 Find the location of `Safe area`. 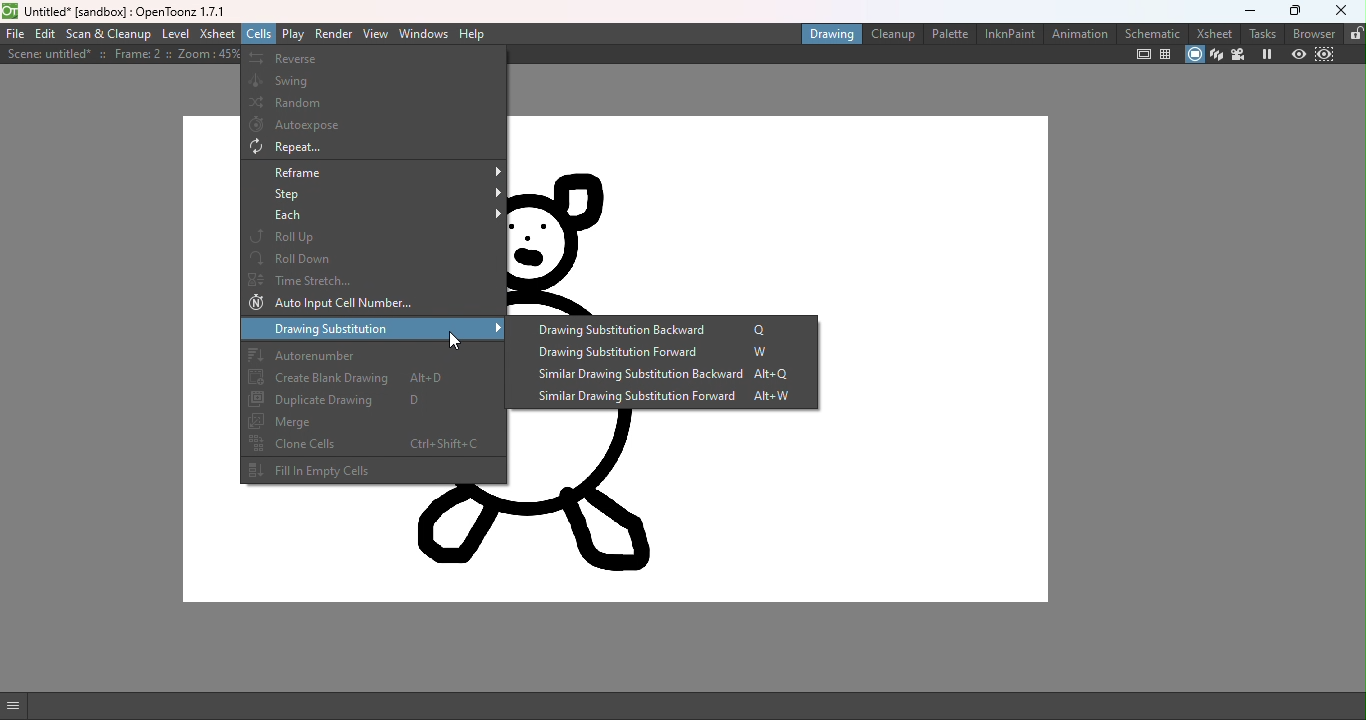

Safe area is located at coordinates (1142, 54).